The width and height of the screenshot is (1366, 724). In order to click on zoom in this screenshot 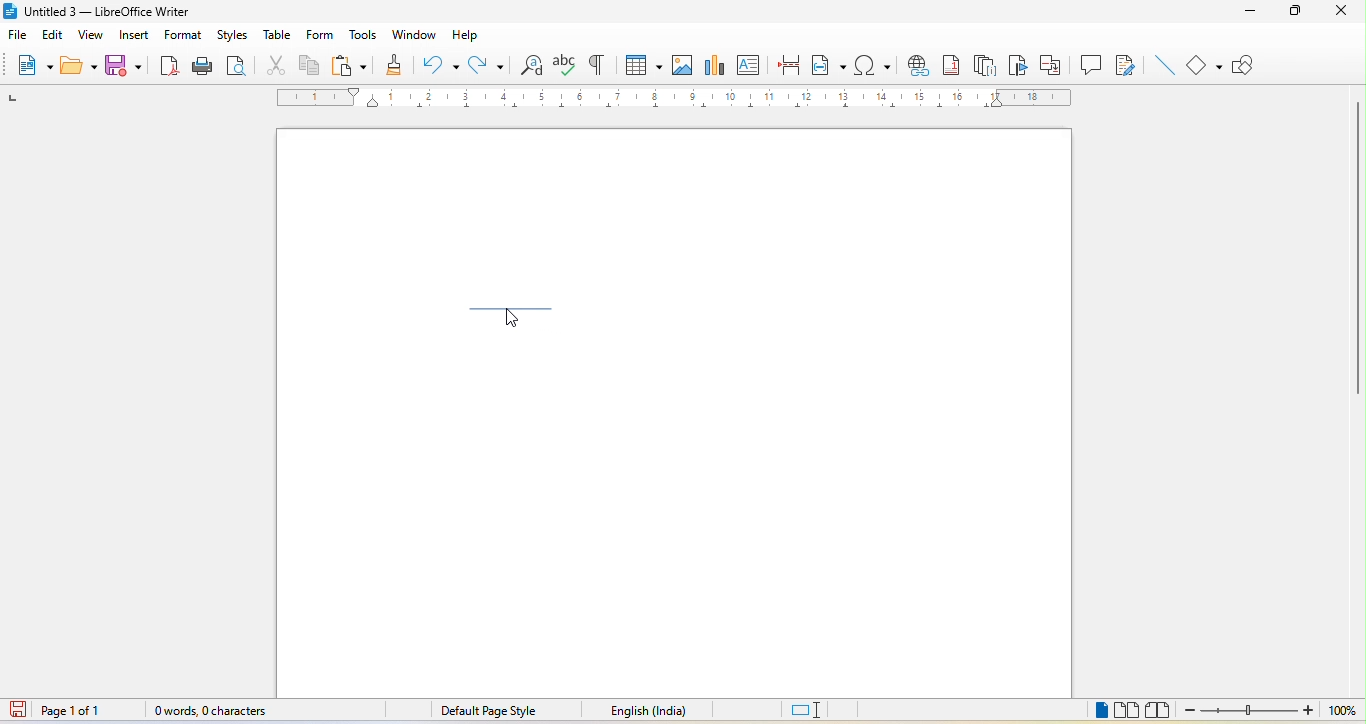, I will do `click(1274, 711)`.